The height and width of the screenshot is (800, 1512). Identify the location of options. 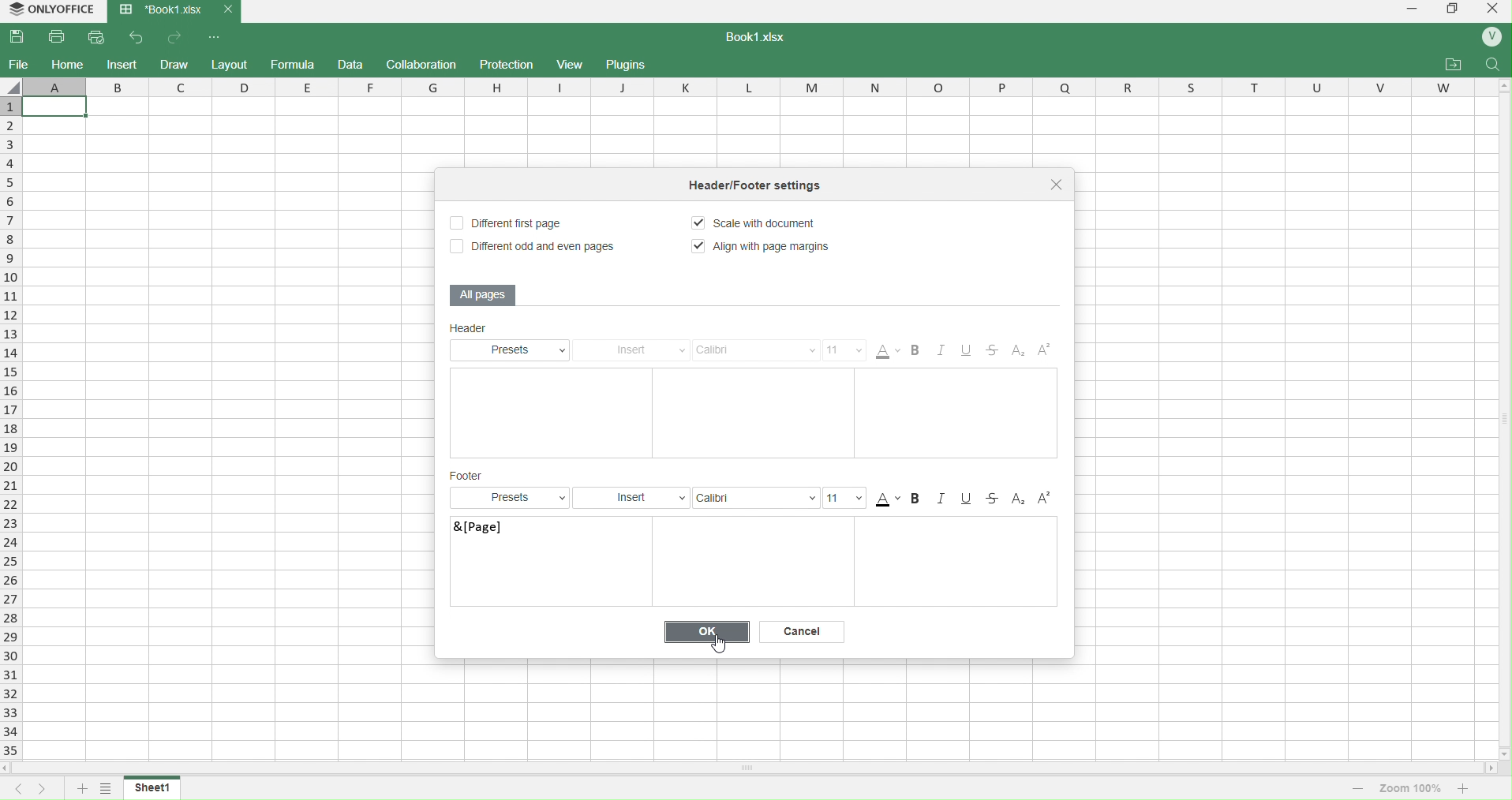
(216, 37).